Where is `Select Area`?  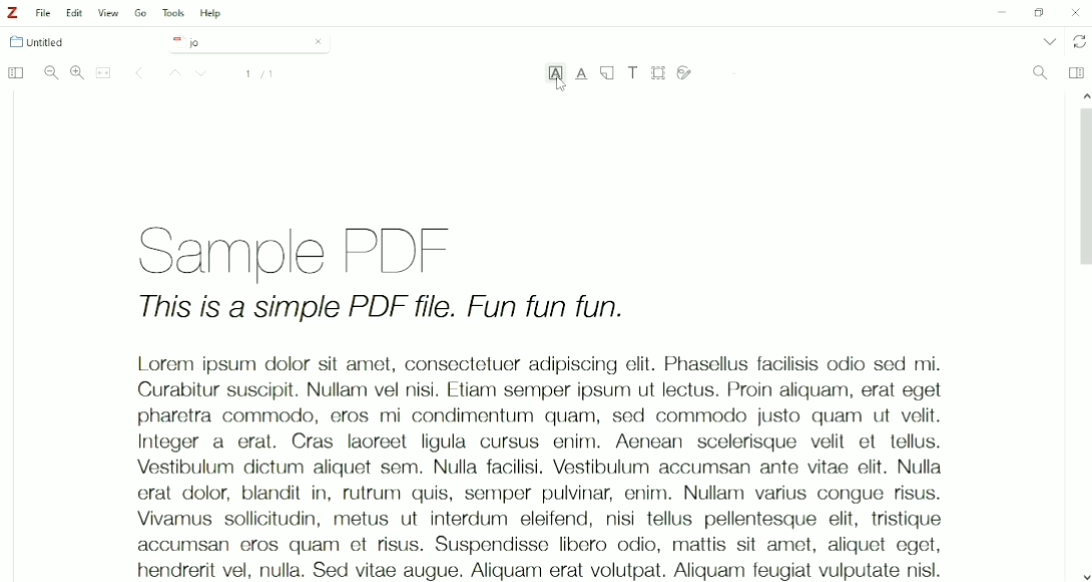
Select Area is located at coordinates (659, 72).